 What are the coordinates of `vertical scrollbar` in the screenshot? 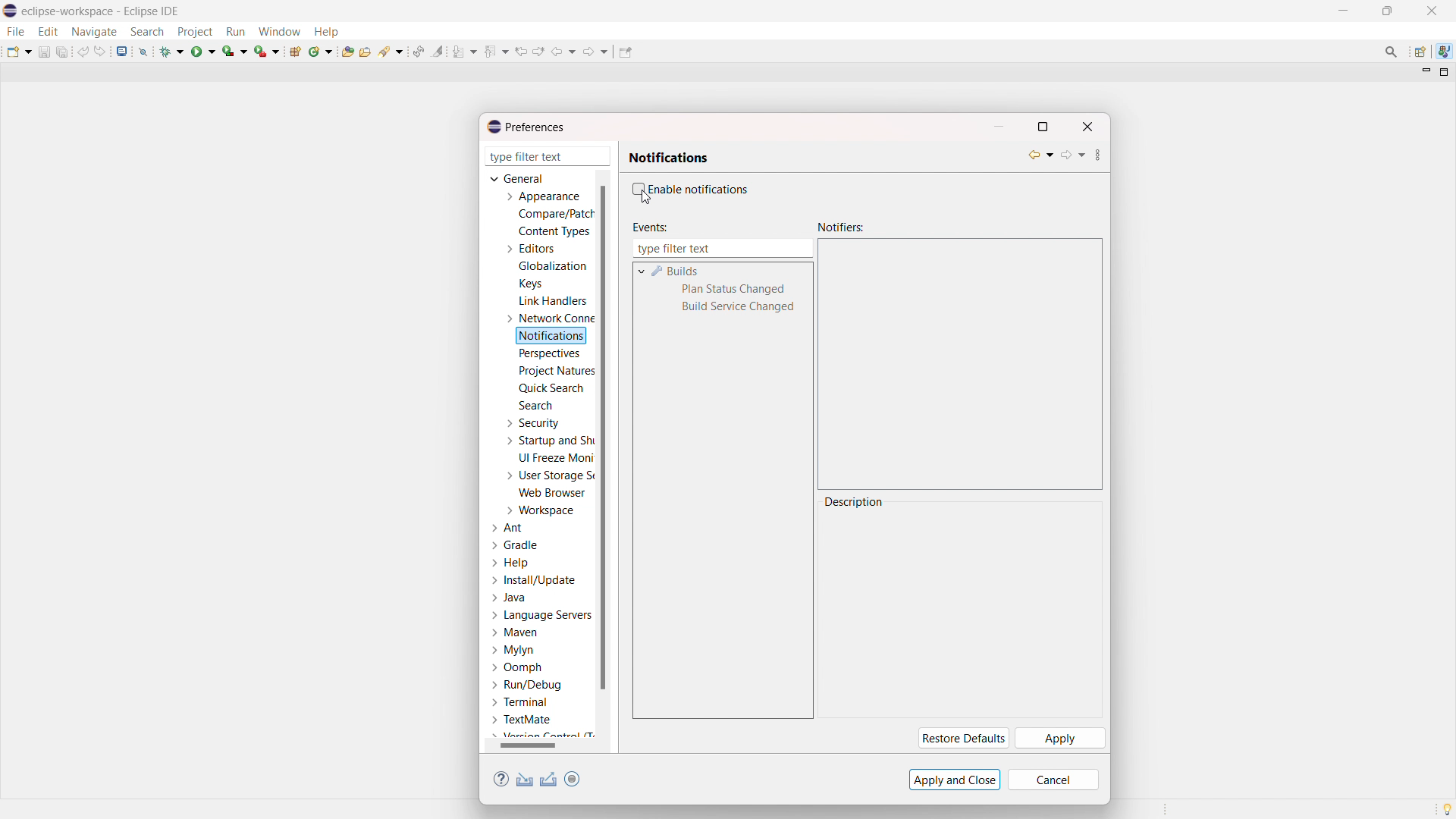 It's located at (602, 436).